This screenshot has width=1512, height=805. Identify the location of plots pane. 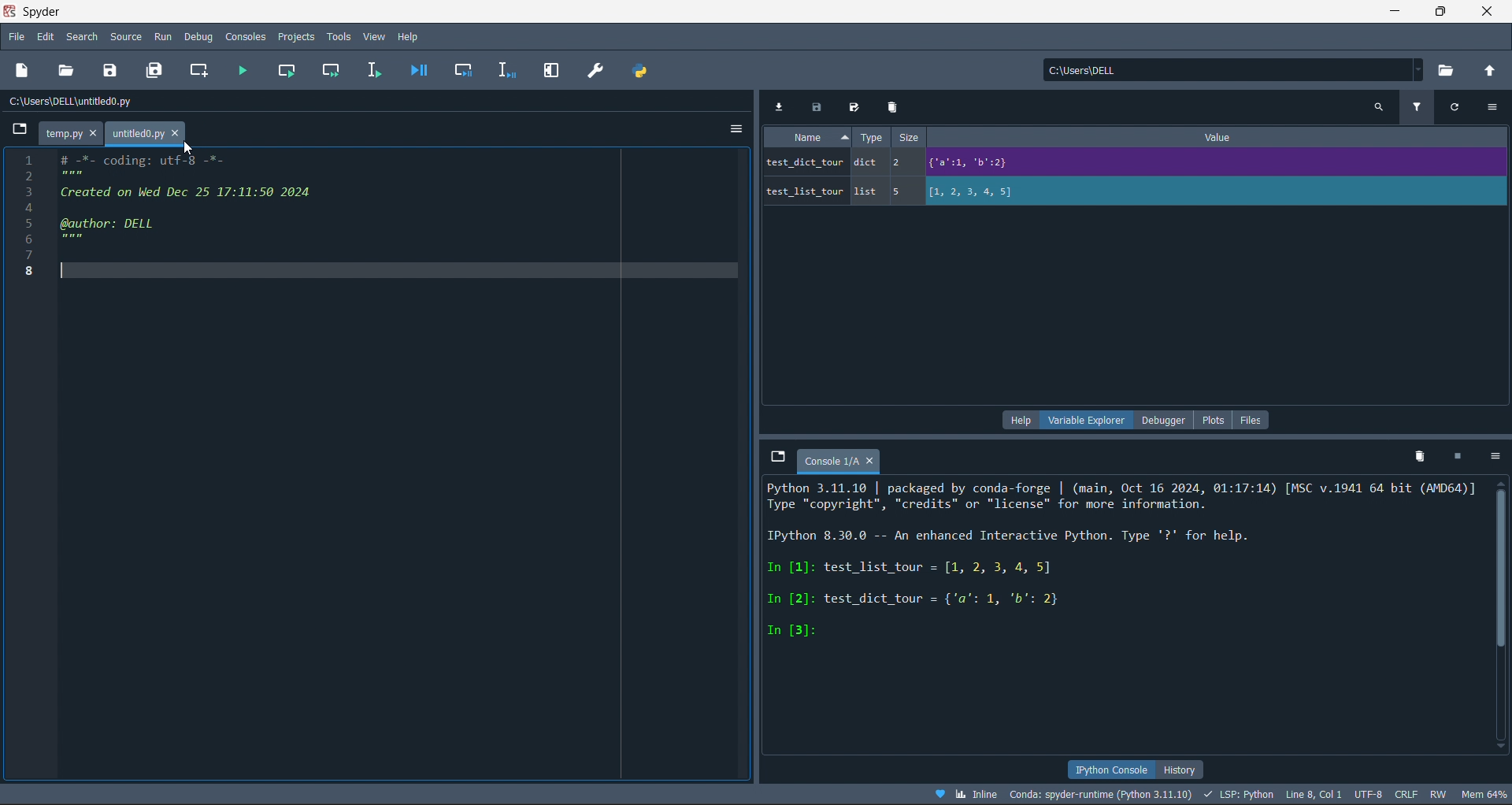
(1216, 420).